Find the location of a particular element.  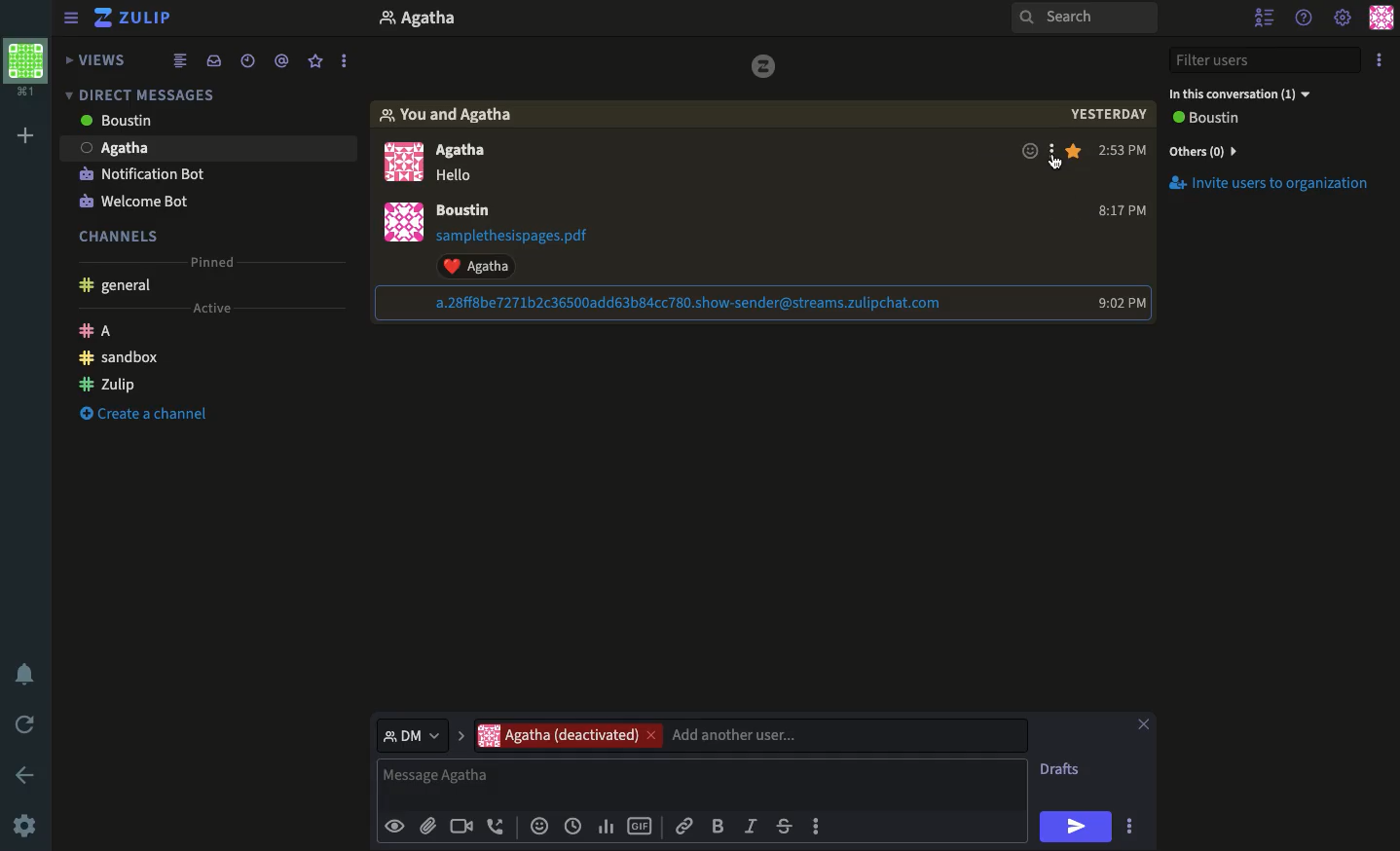

Inbox is located at coordinates (203, 91).